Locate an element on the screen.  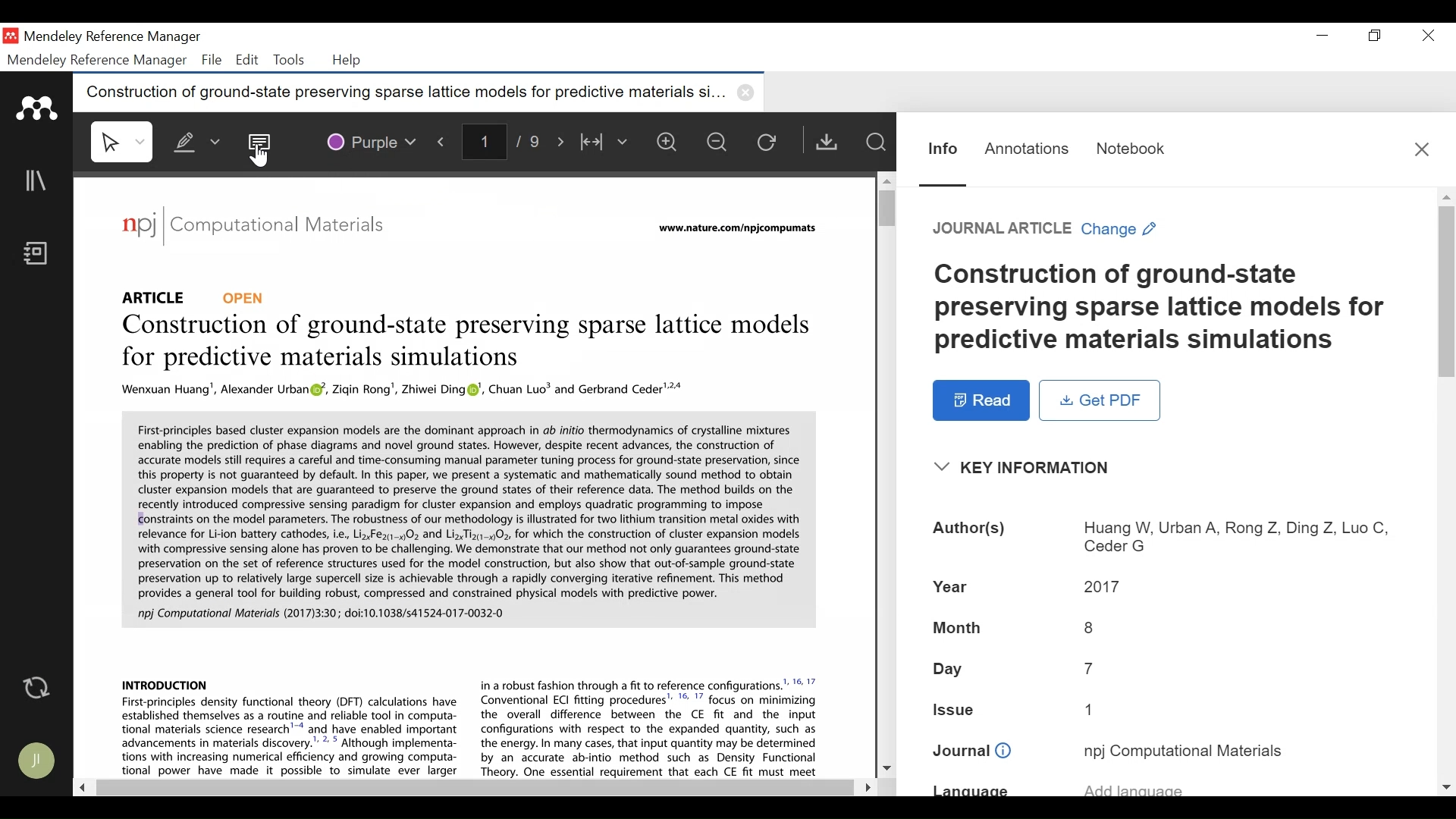
Sticky Note is located at coordinates (265, 139).